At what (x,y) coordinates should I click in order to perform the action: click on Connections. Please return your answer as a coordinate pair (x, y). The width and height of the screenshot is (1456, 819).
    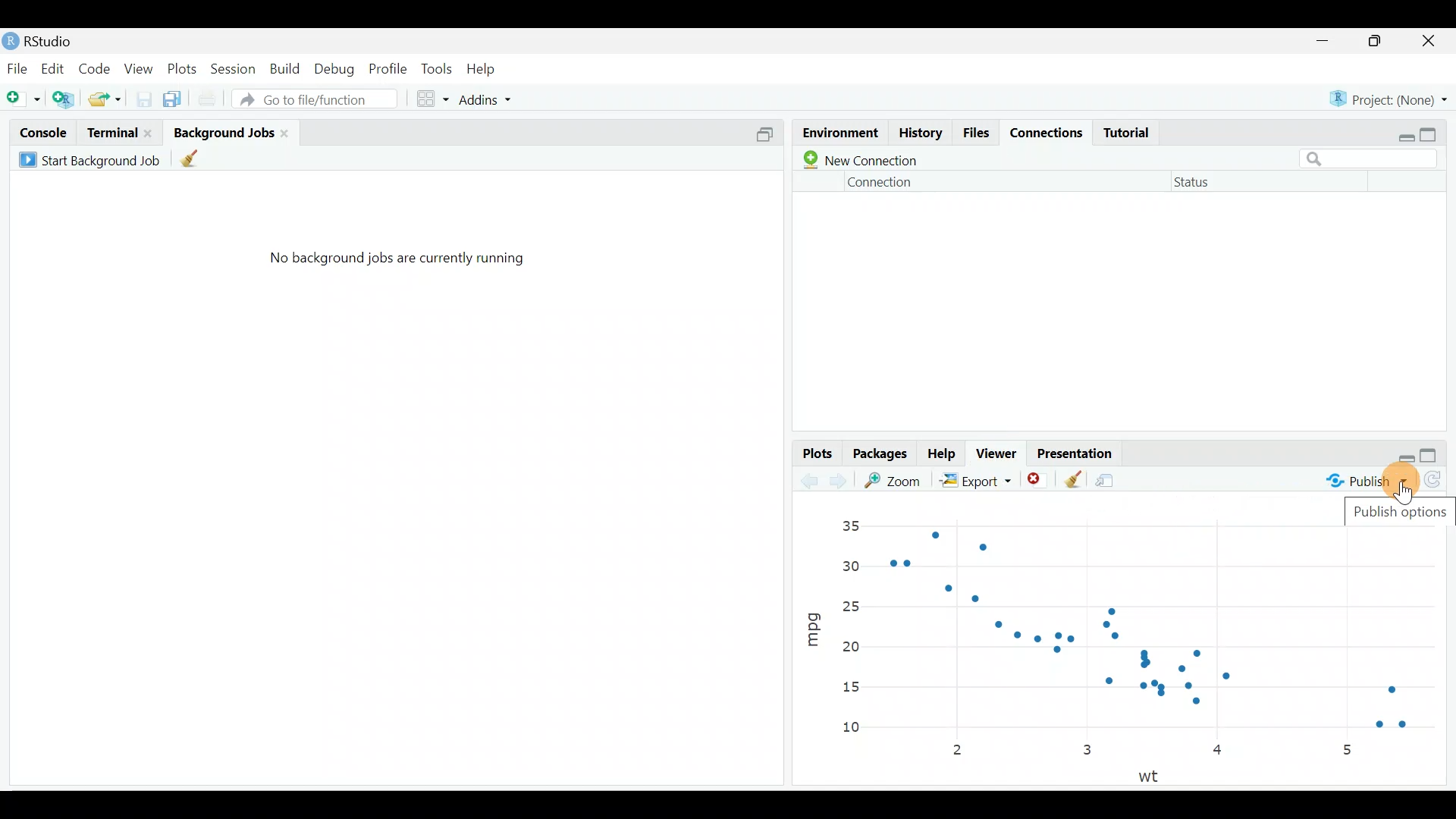
    Looking at the image, I should click on (1050, 134).